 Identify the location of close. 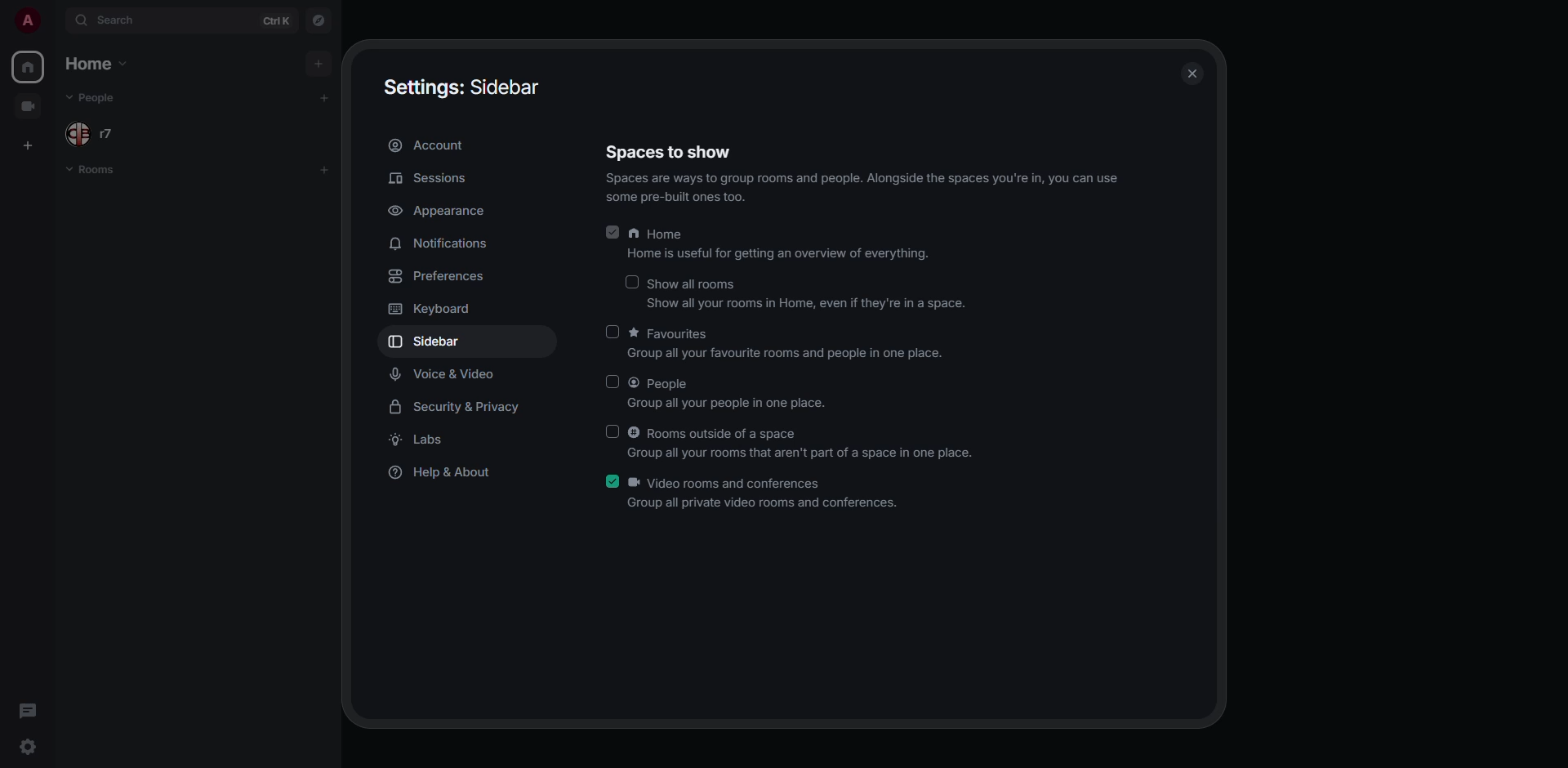
(1191, 73).